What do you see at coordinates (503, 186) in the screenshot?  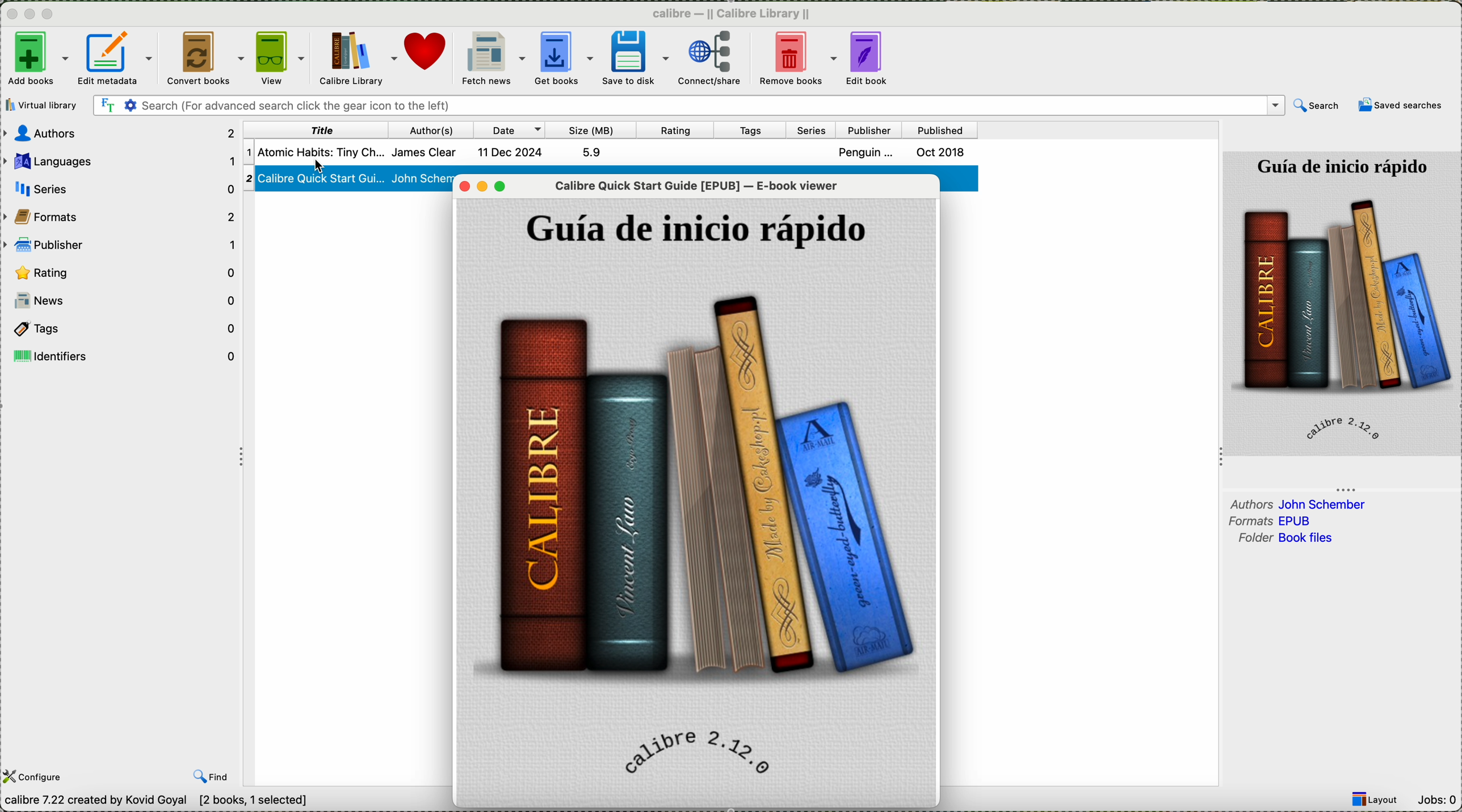 I see `maximize viewer` at bounding box center [503, 186].